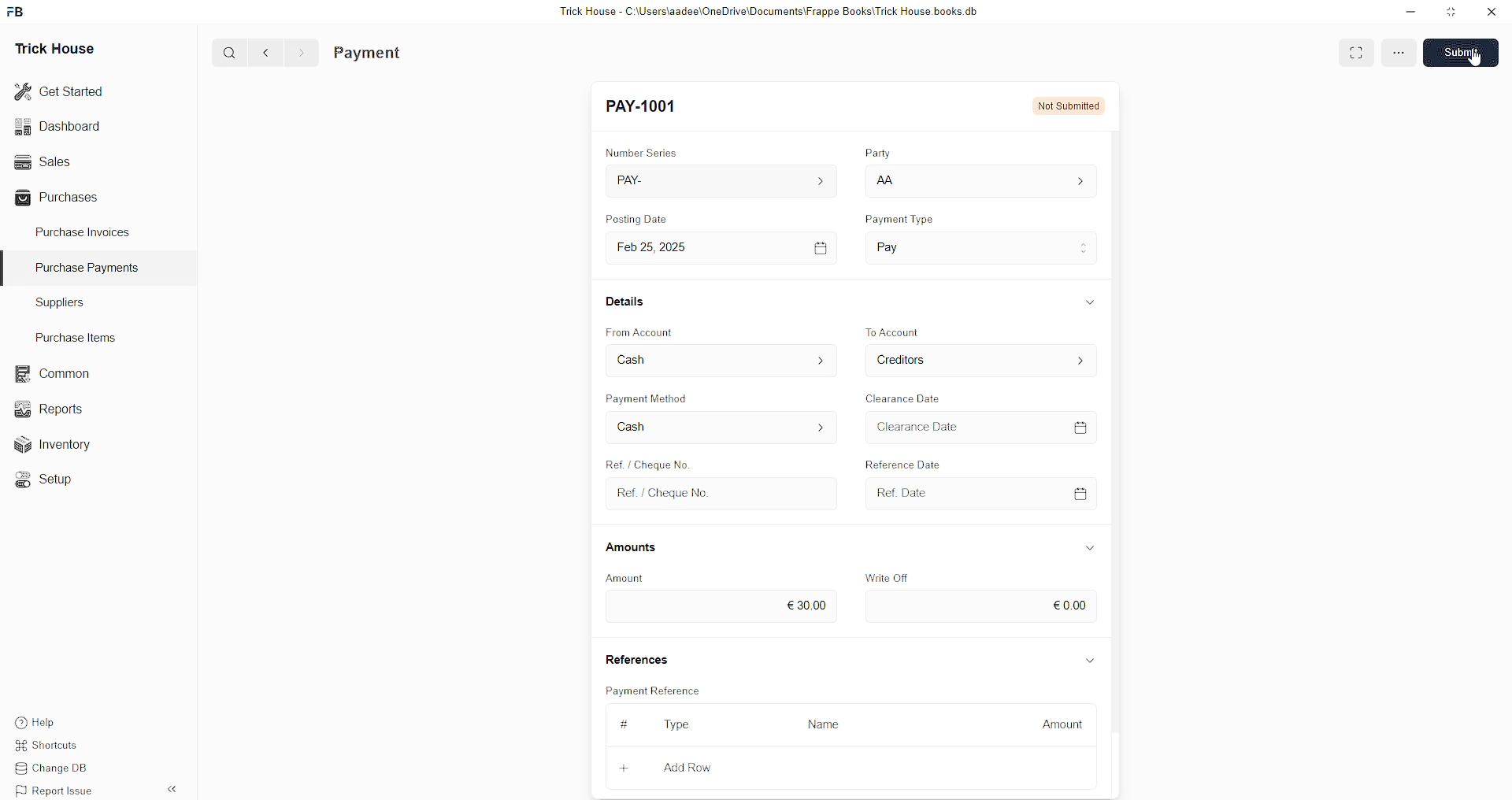  Describe the element at coordinates (646, 359) in the screenshot. I see `Cash` at that location.